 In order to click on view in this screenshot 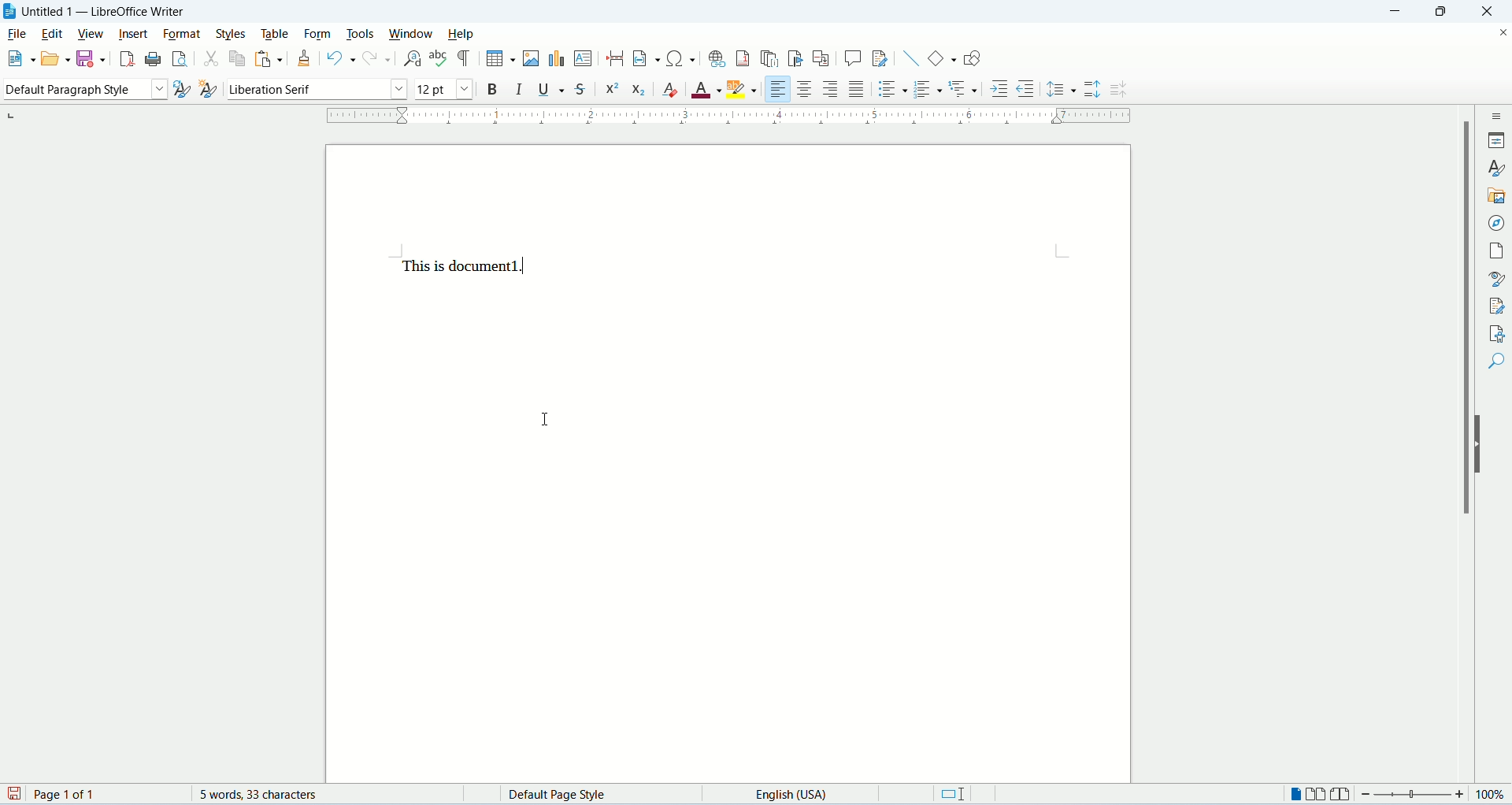, I will do `click(91, 34)`.